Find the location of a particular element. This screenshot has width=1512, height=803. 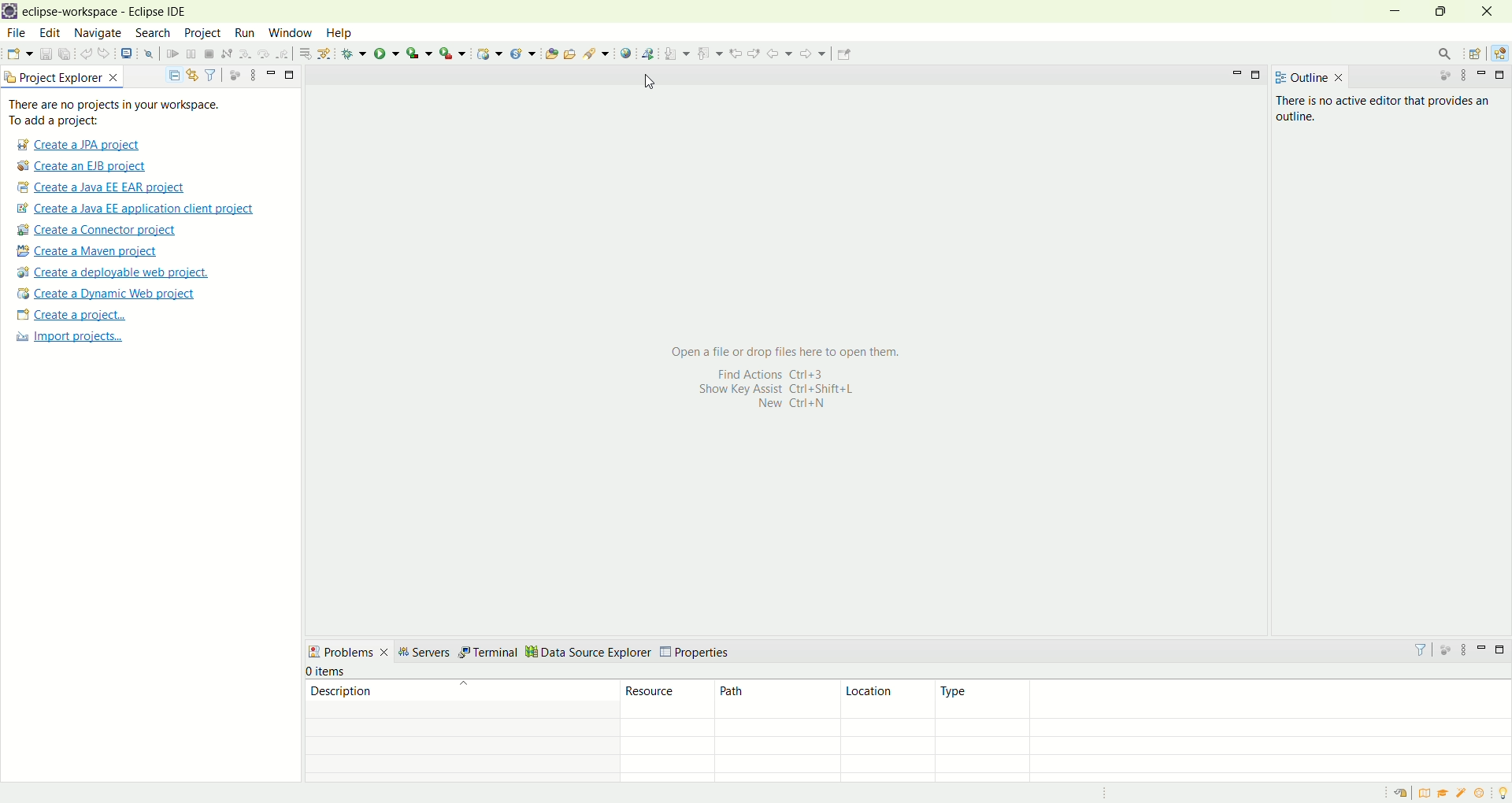

drop to frames is located at coordinates (306, 54).